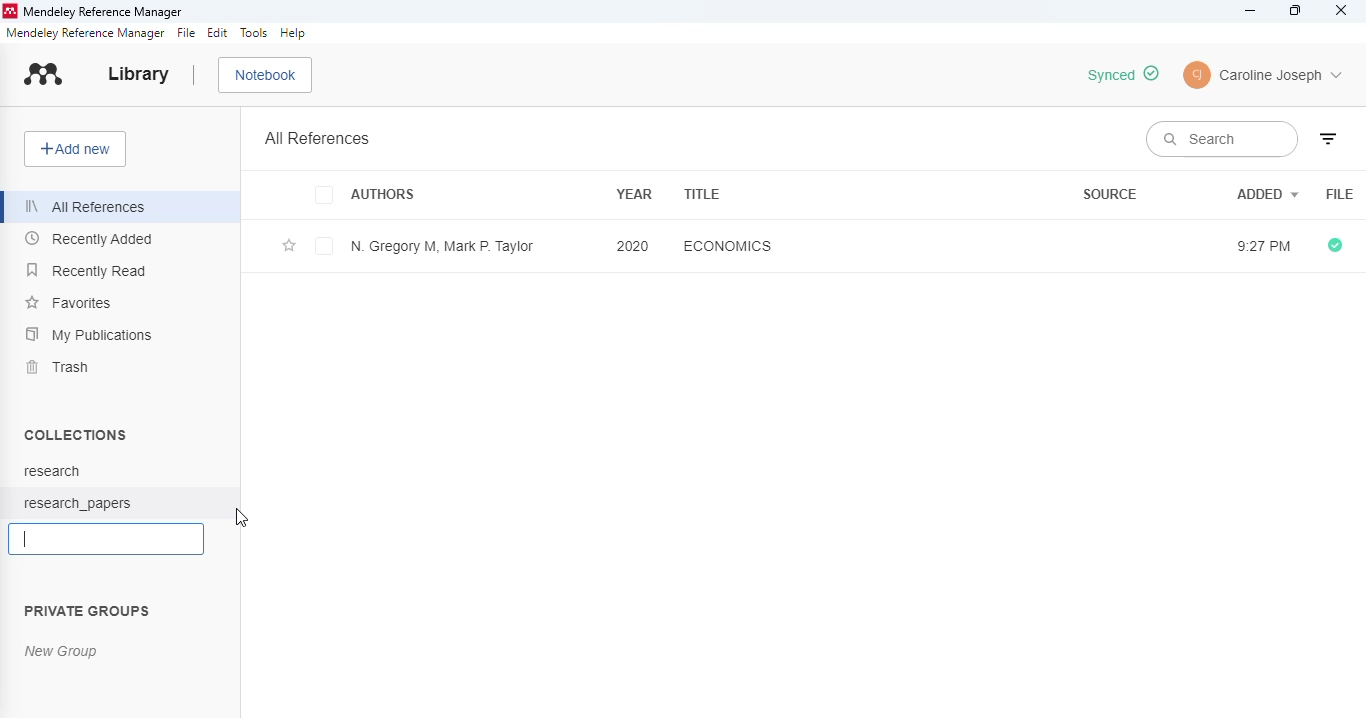 The image size is (1366, 718). What do you see at coordinates (89, 207) in the screenshot?
I see `all references` at bounding box center [89, 207].